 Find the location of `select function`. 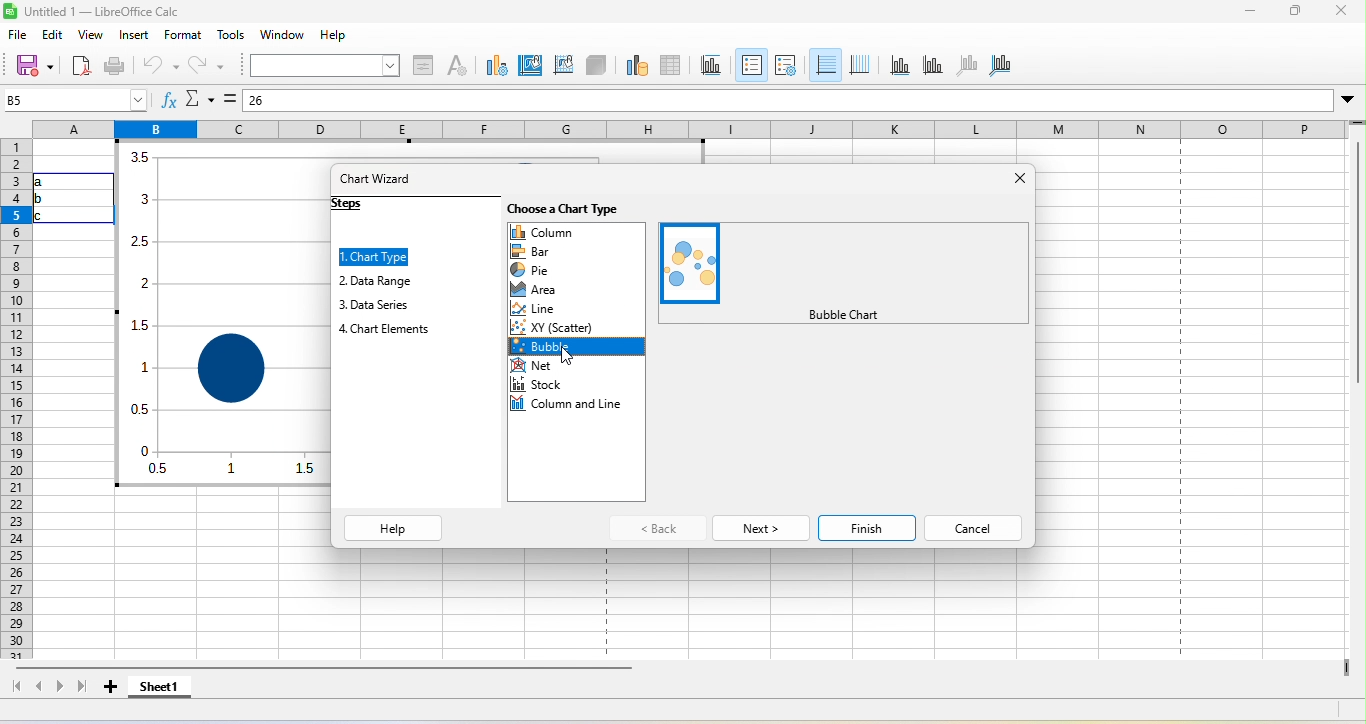

select function is located at coordinates (200, 99).